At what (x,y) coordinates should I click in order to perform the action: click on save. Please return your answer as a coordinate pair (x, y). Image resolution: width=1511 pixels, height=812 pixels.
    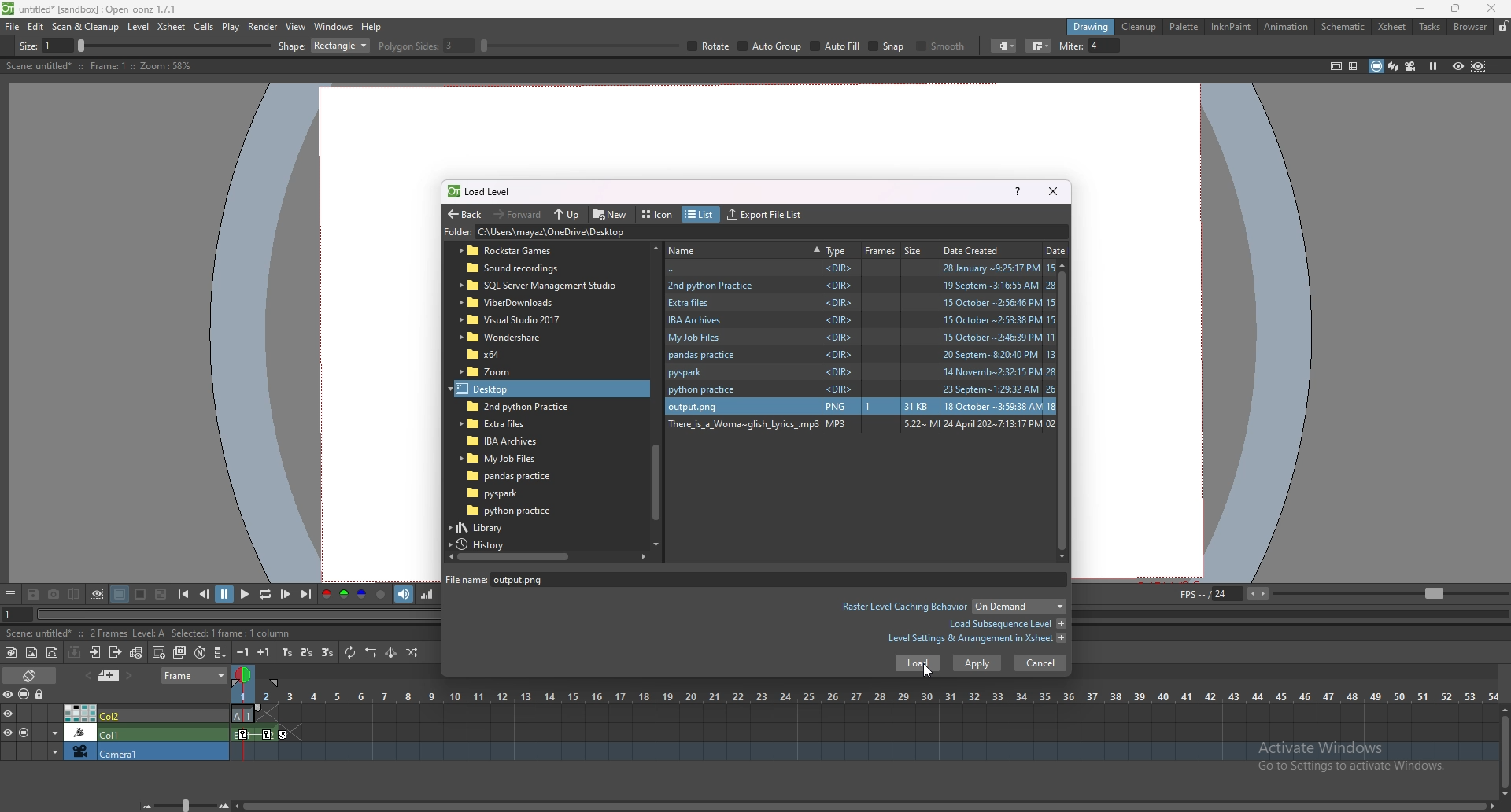
    Looking at the image, I should click on (33, 596).